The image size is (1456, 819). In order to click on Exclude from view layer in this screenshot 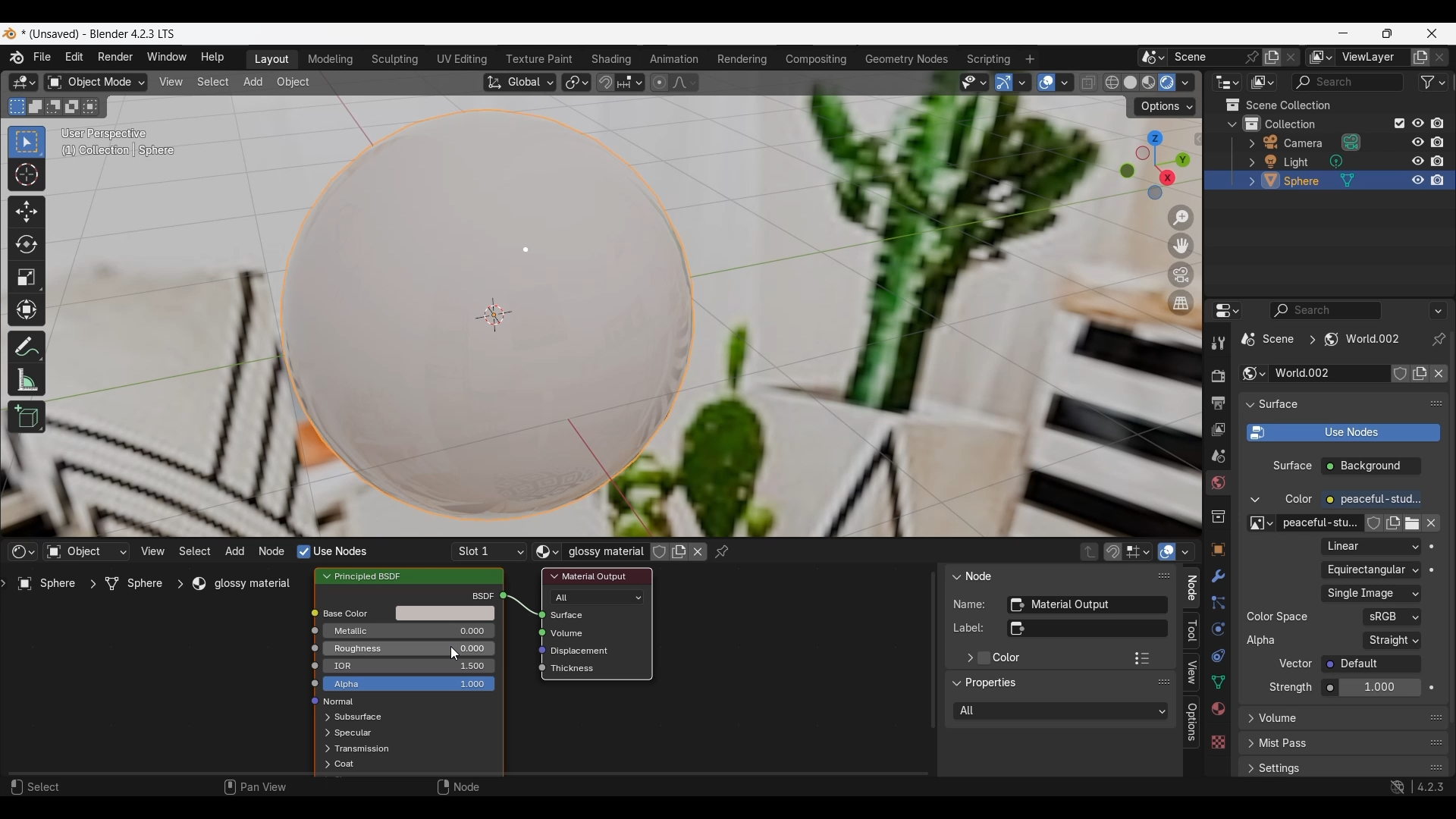, I will do `click(1399, 124)`.